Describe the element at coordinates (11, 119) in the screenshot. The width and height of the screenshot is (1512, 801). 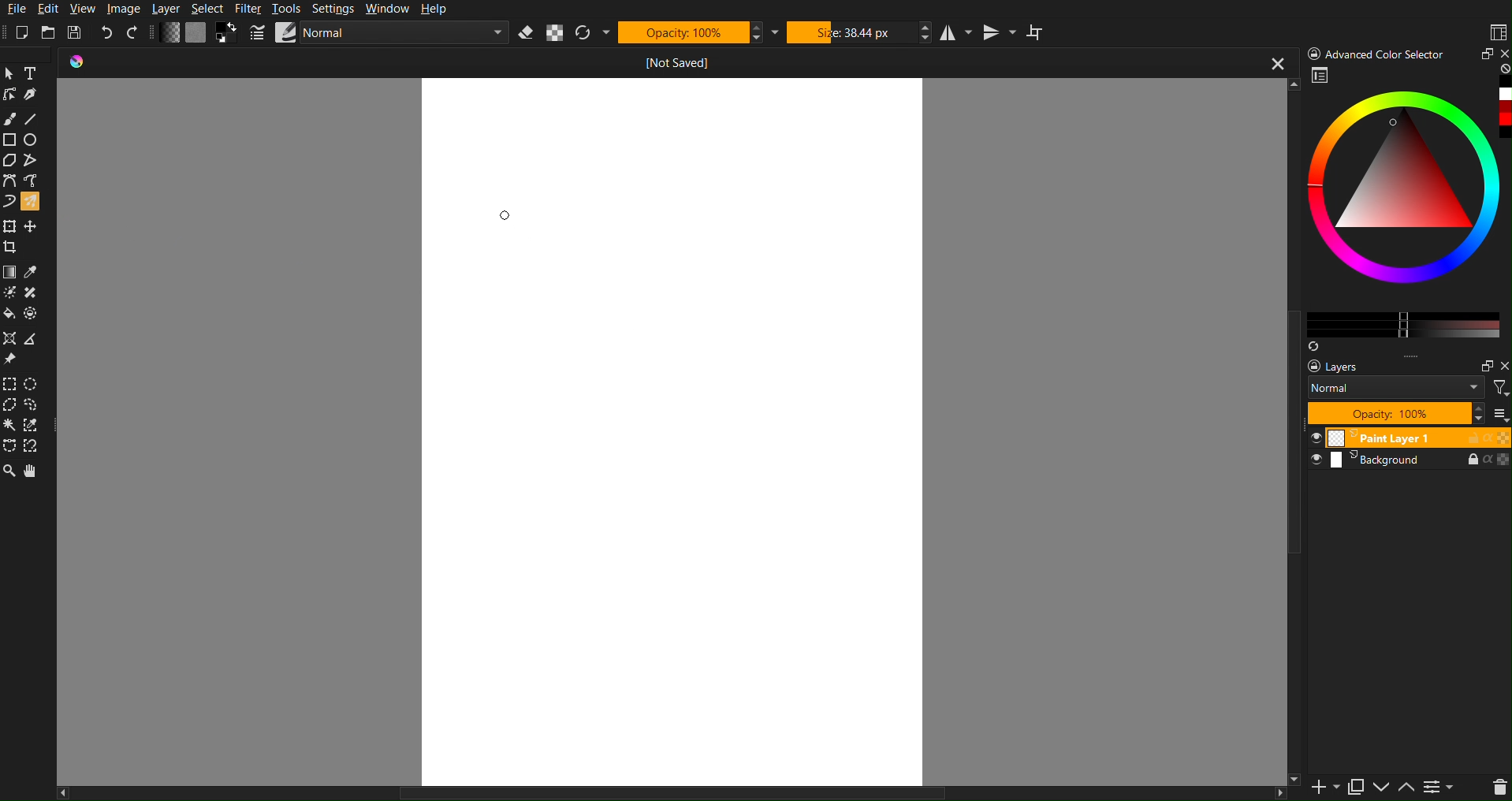
I see `Brush` at that location.